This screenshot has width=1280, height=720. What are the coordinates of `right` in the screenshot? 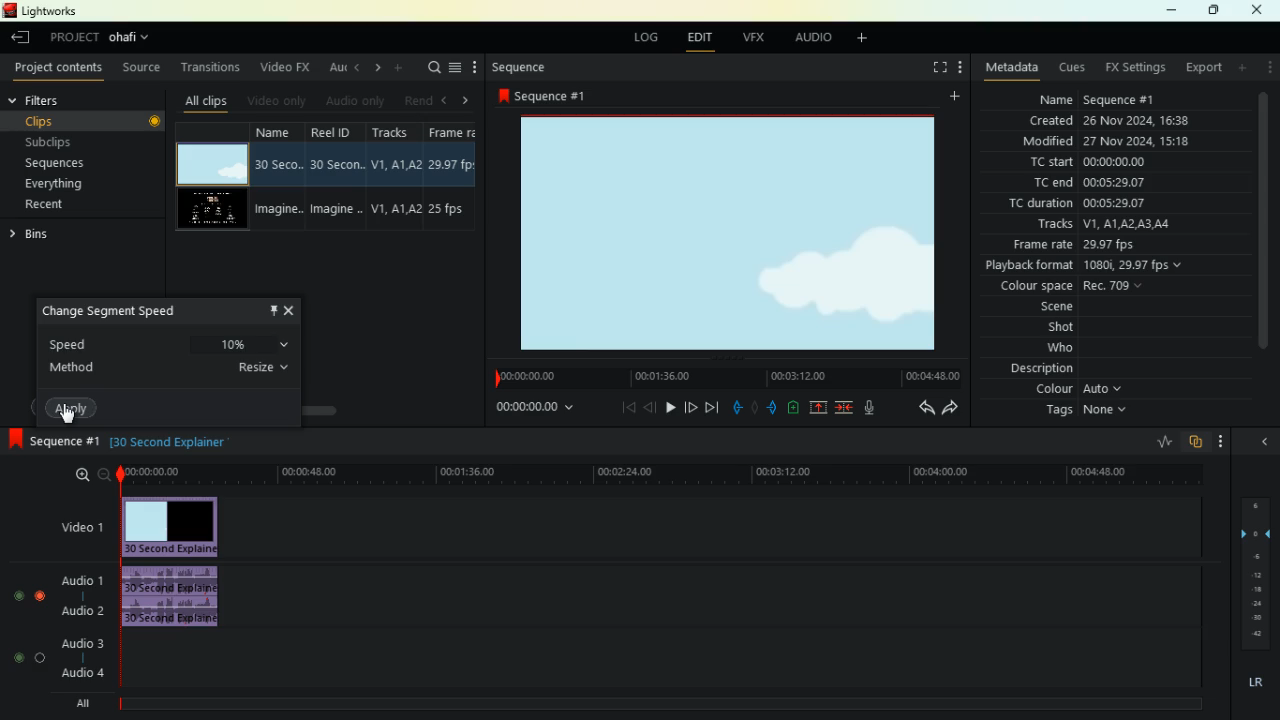 It's located at (470, 101).